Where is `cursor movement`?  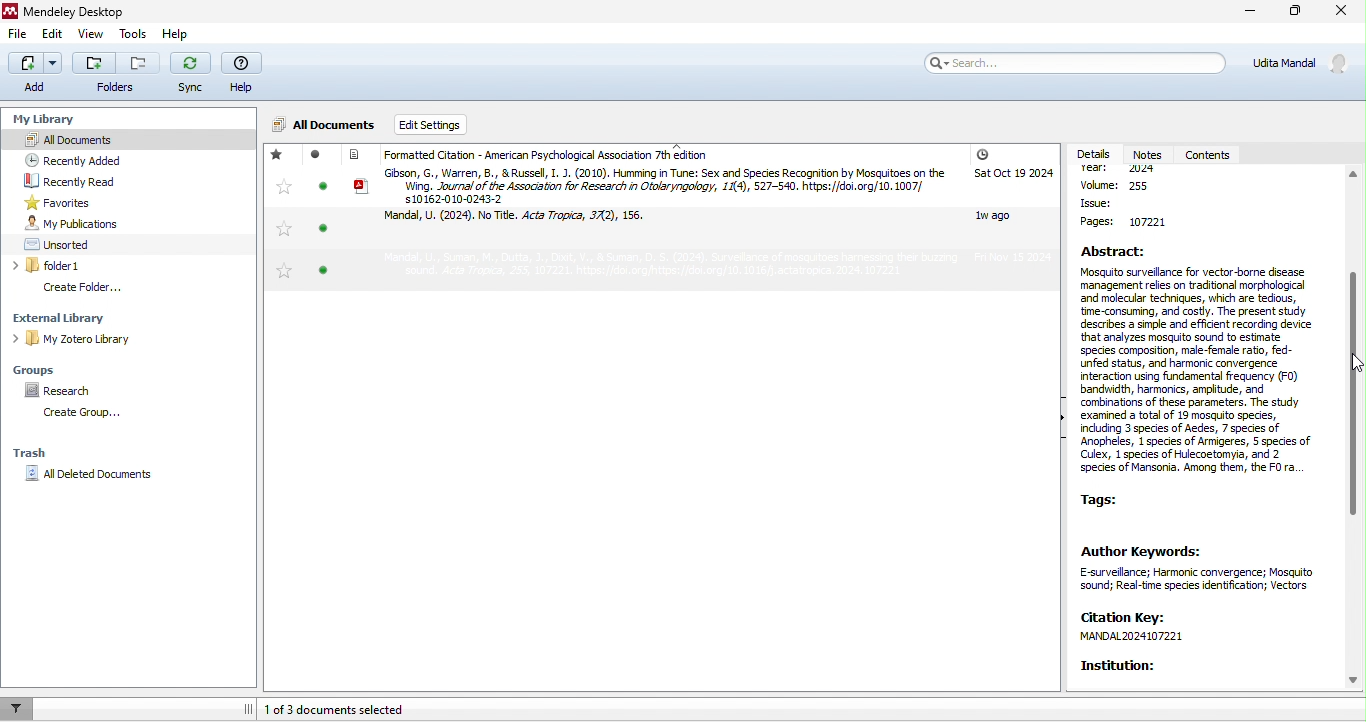 cursor movement is located at coordinates (1352, 368).